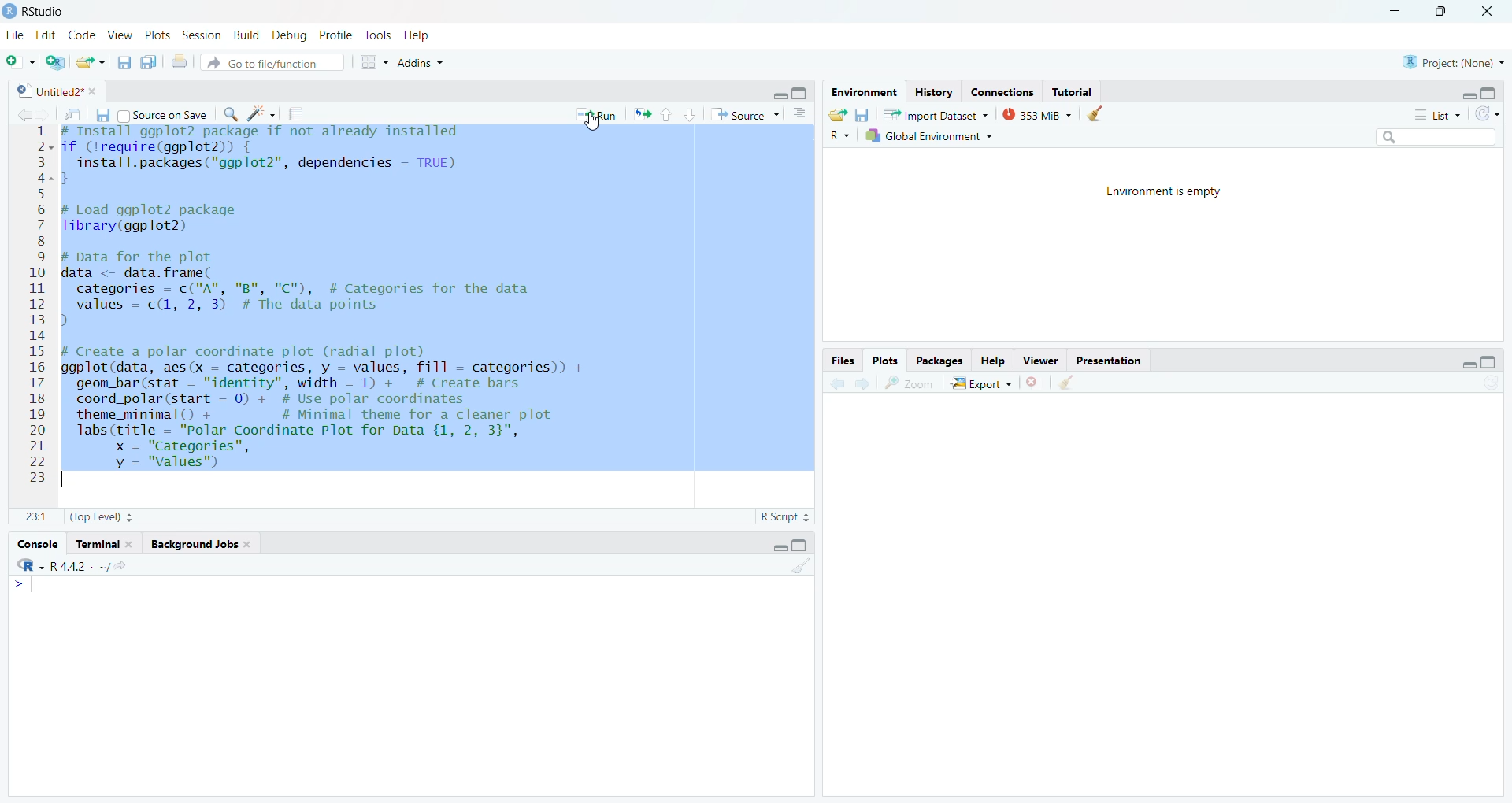  I want to click on Edit, so click(44, 37).